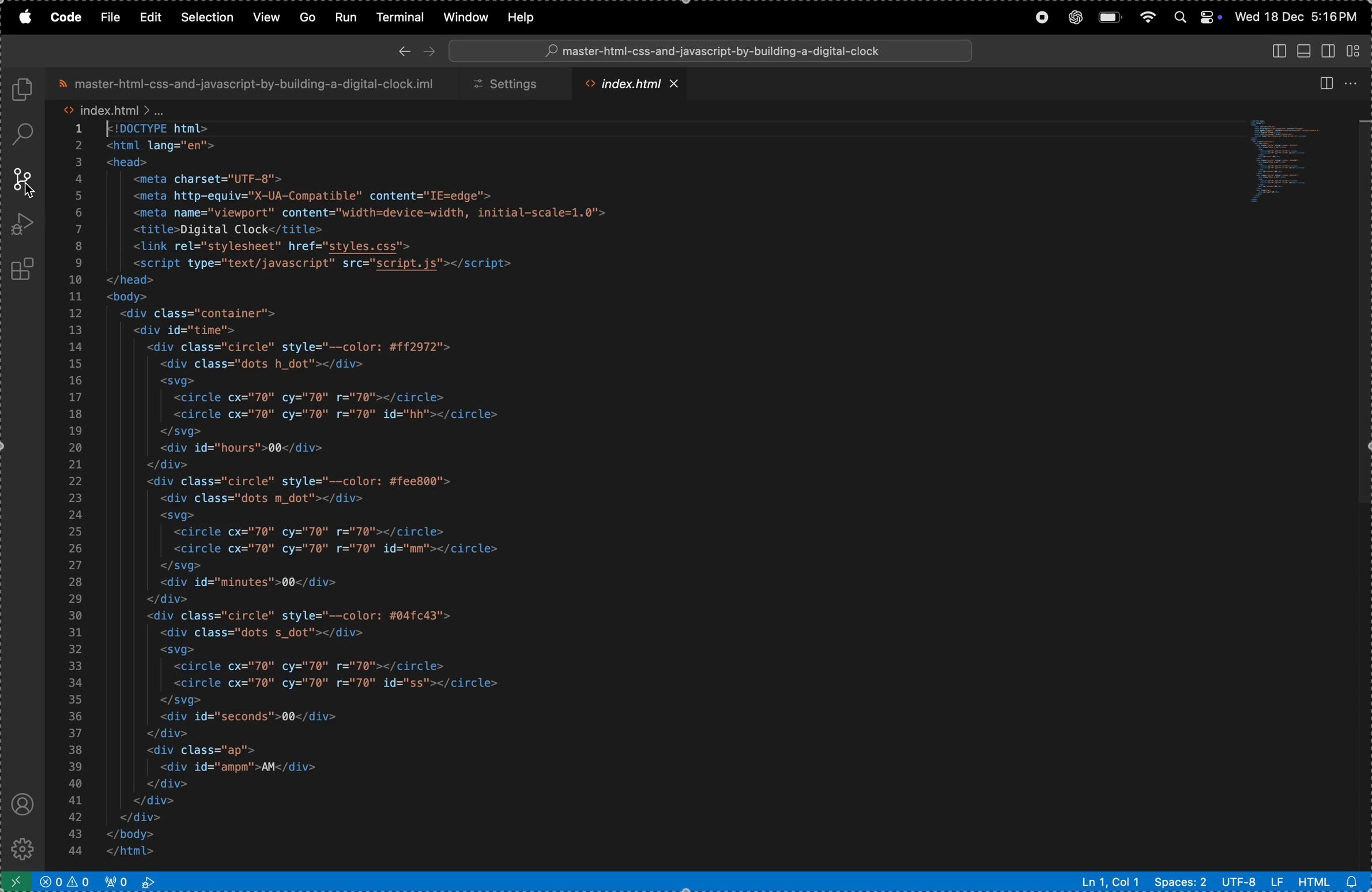 This screenshot has width=1372, height=892. Describe the element at coordinates (304, 347) in the screenshot. I see `<div class="circle" style="--color: #ff2972">` at that location.